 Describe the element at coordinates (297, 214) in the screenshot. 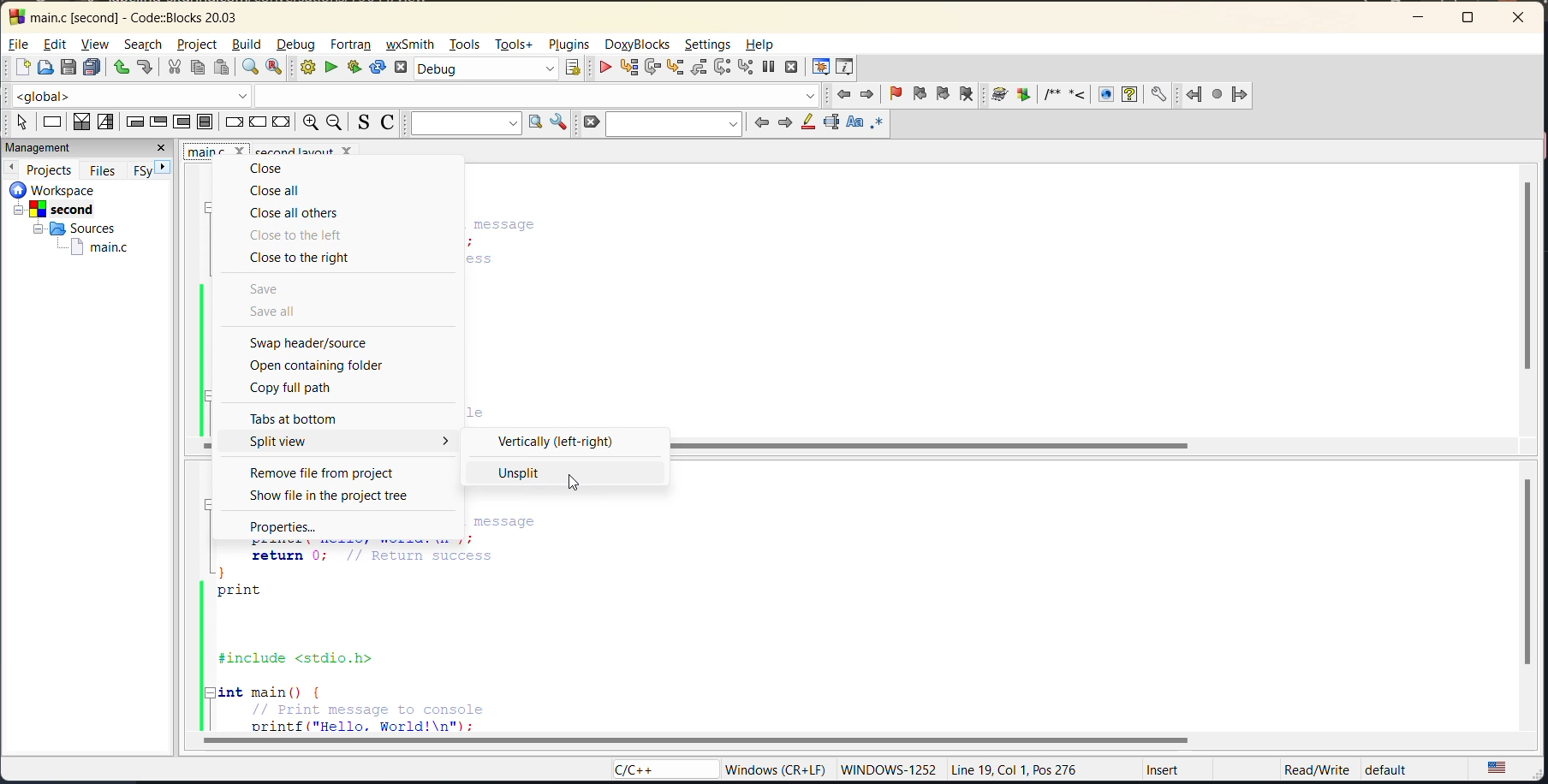

I see `close all others` at that location.